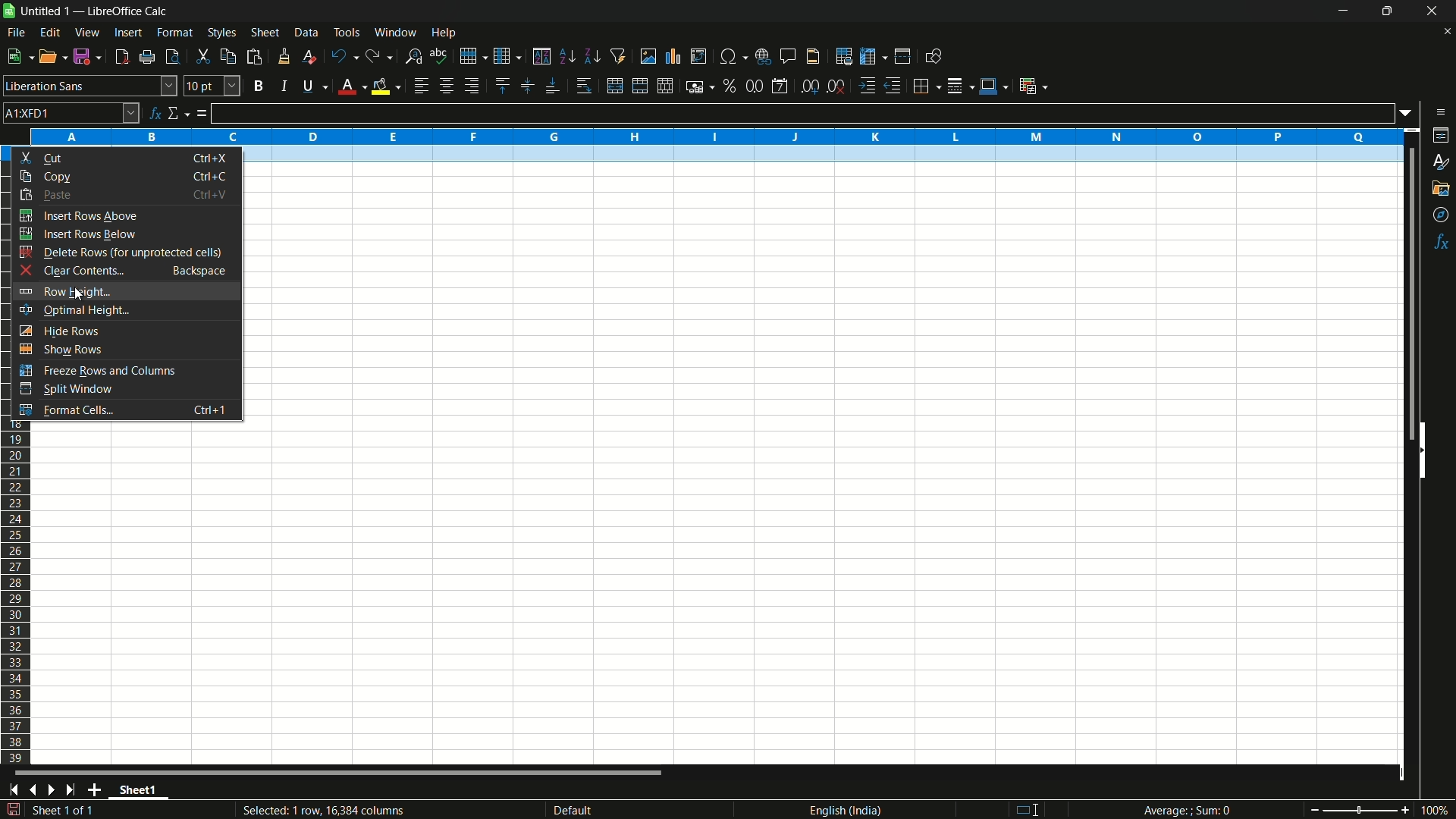 This screenshot has height=819, width=1456. Describe the element at coordinates (698, 56) in the screenshot. I see `insert or edit pivot table` at that location.